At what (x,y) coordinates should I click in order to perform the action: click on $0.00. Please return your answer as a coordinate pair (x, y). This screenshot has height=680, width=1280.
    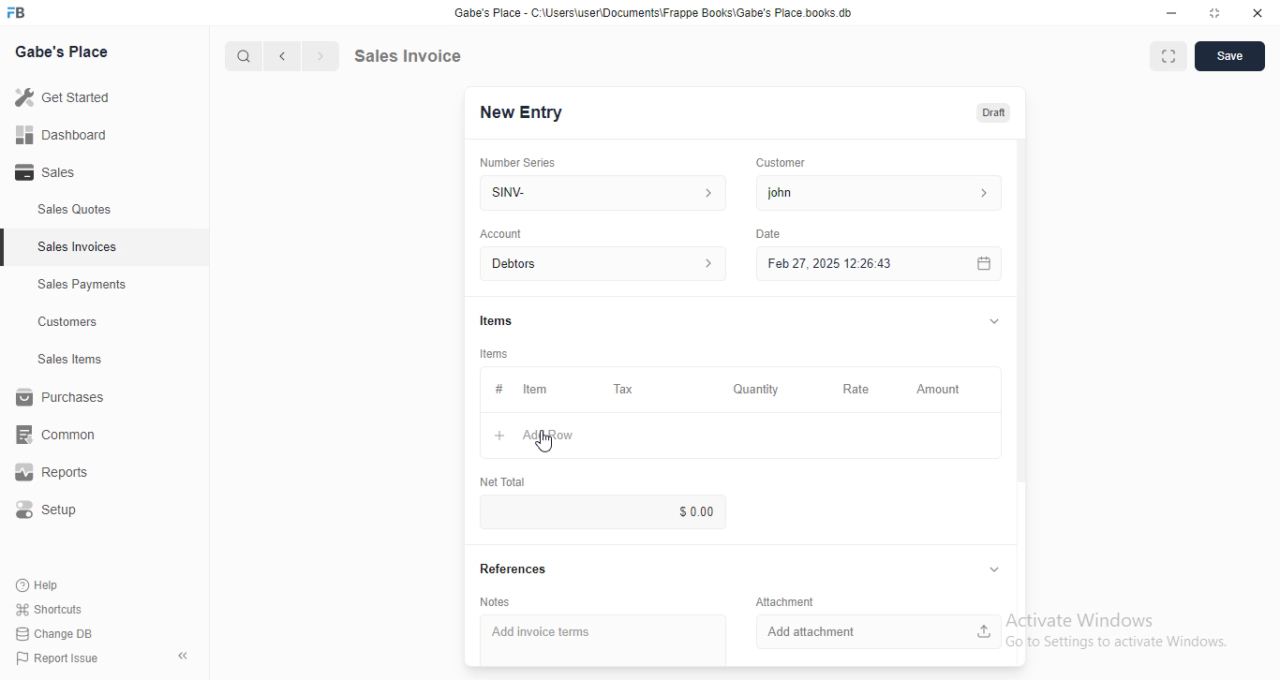
    Looking at the image, I should click on (696, 512).